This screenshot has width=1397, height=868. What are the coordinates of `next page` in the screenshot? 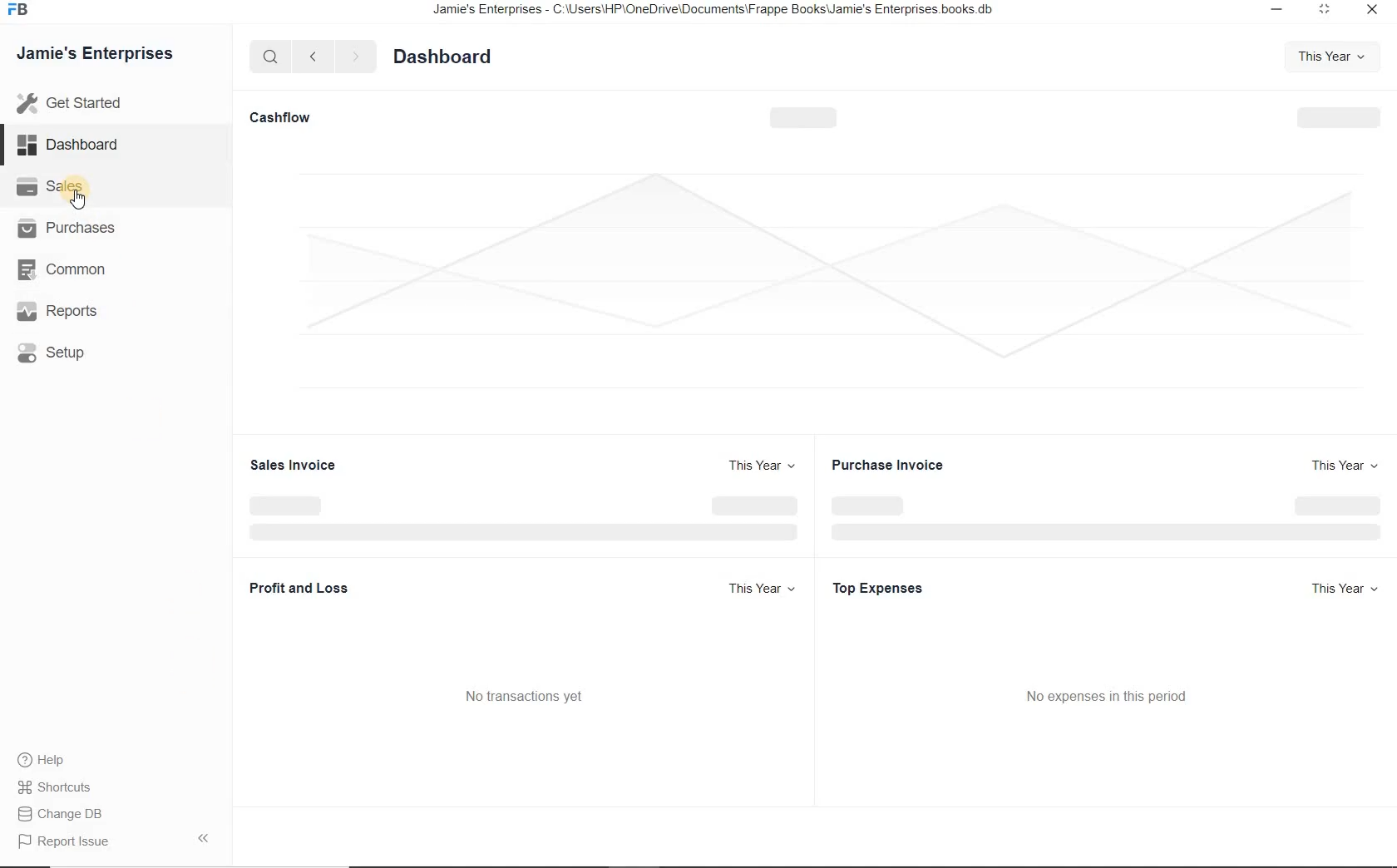 It's located at (353, 56).